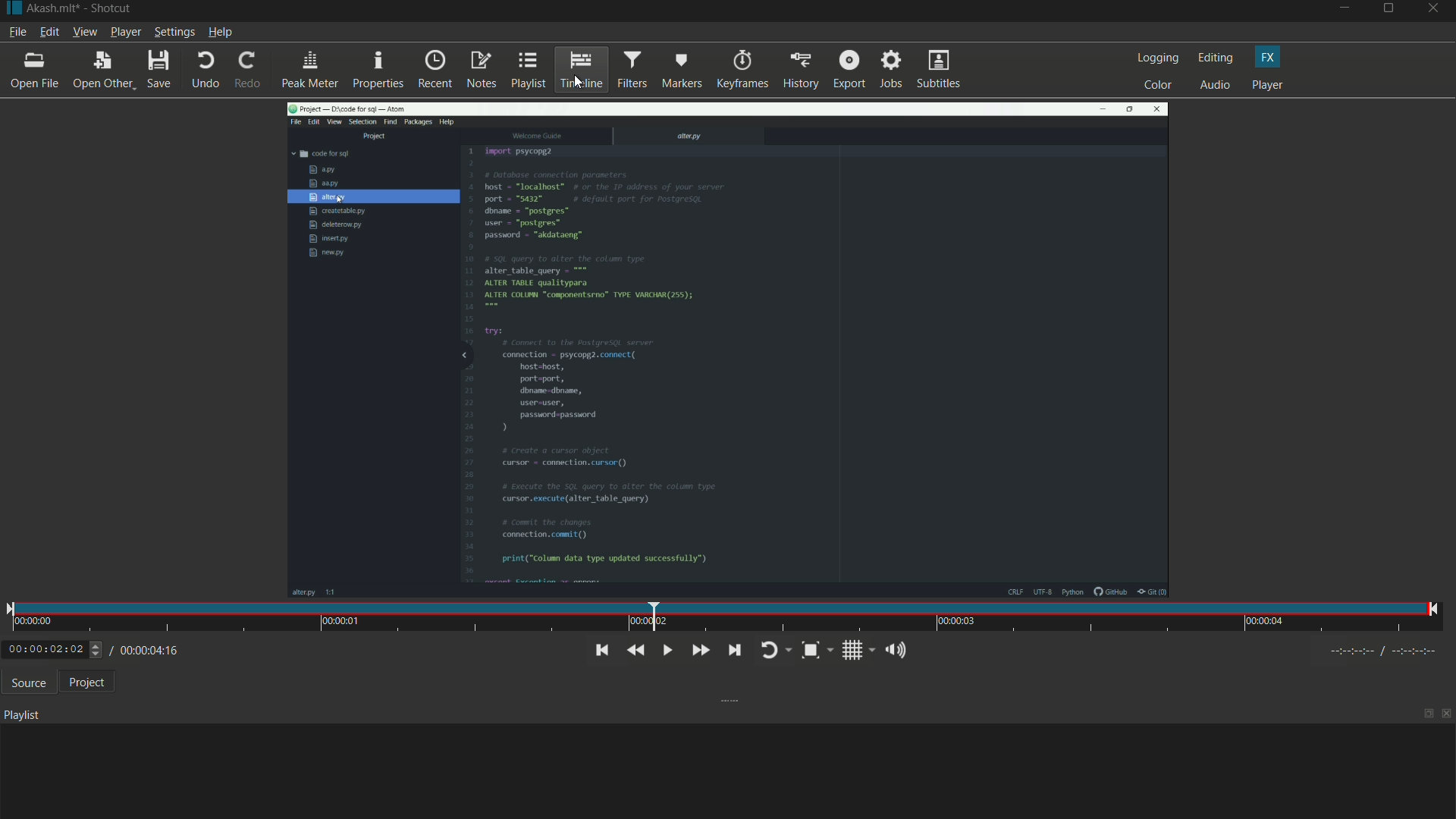 The width and height of the screenshot is (1456, 819). Describe the element at coordinates (83, 682) in the screenshot. I see `project` at that location.